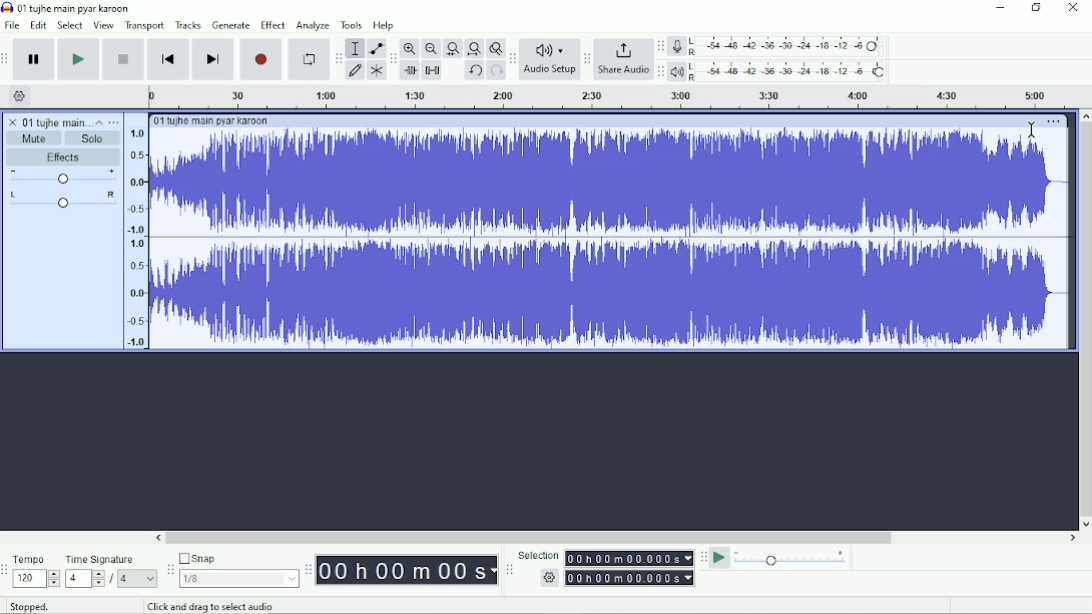 The width and height of the screenshot is (1092, 614). I want to click on Selection, so click(538, 553).